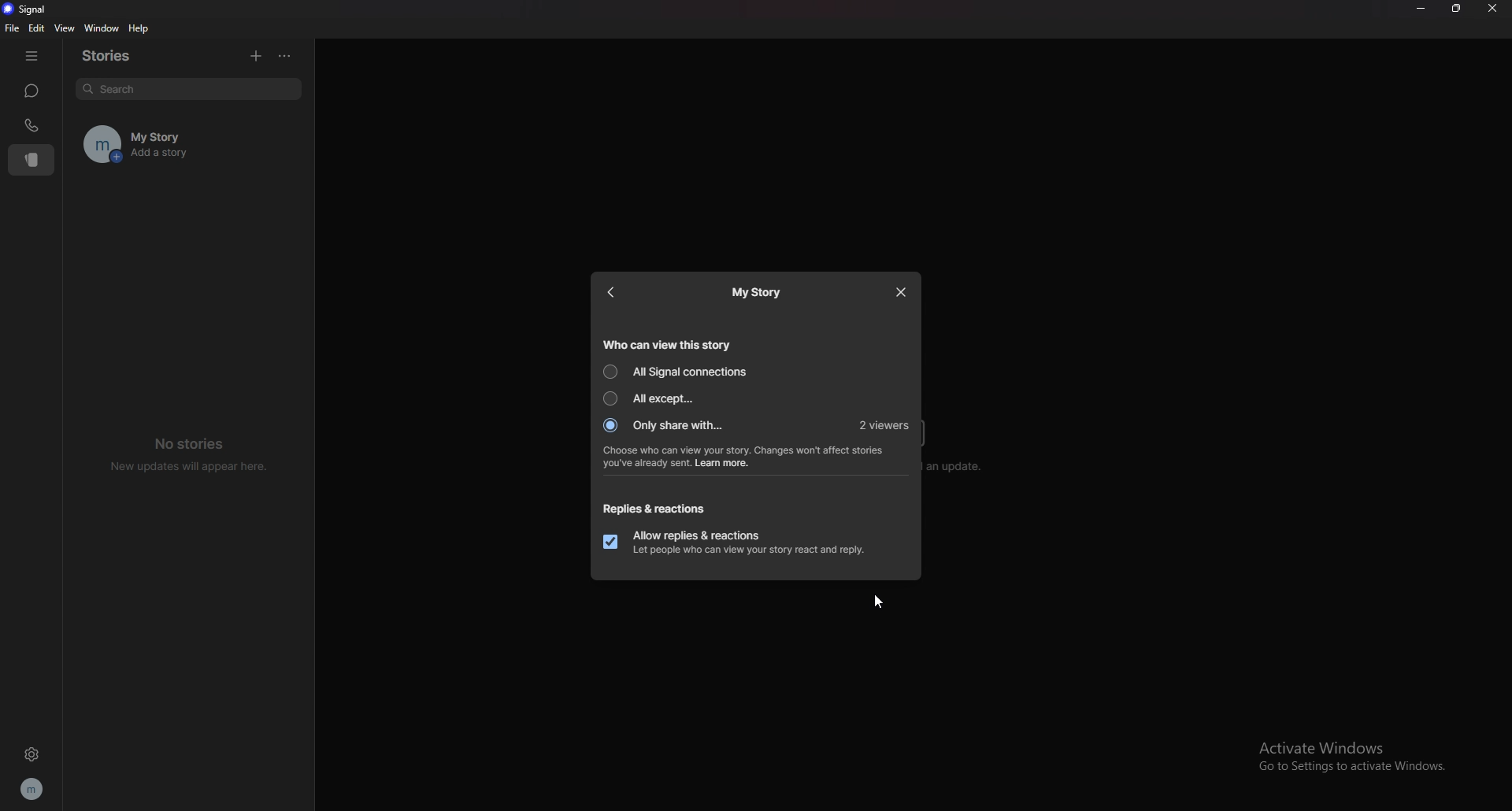 The image size is (1512, 811). Describe the element at coordinates (744, 456) in the screenshot. I see `choose who can view your story. changes won't affect stories you've already sent` at that location.